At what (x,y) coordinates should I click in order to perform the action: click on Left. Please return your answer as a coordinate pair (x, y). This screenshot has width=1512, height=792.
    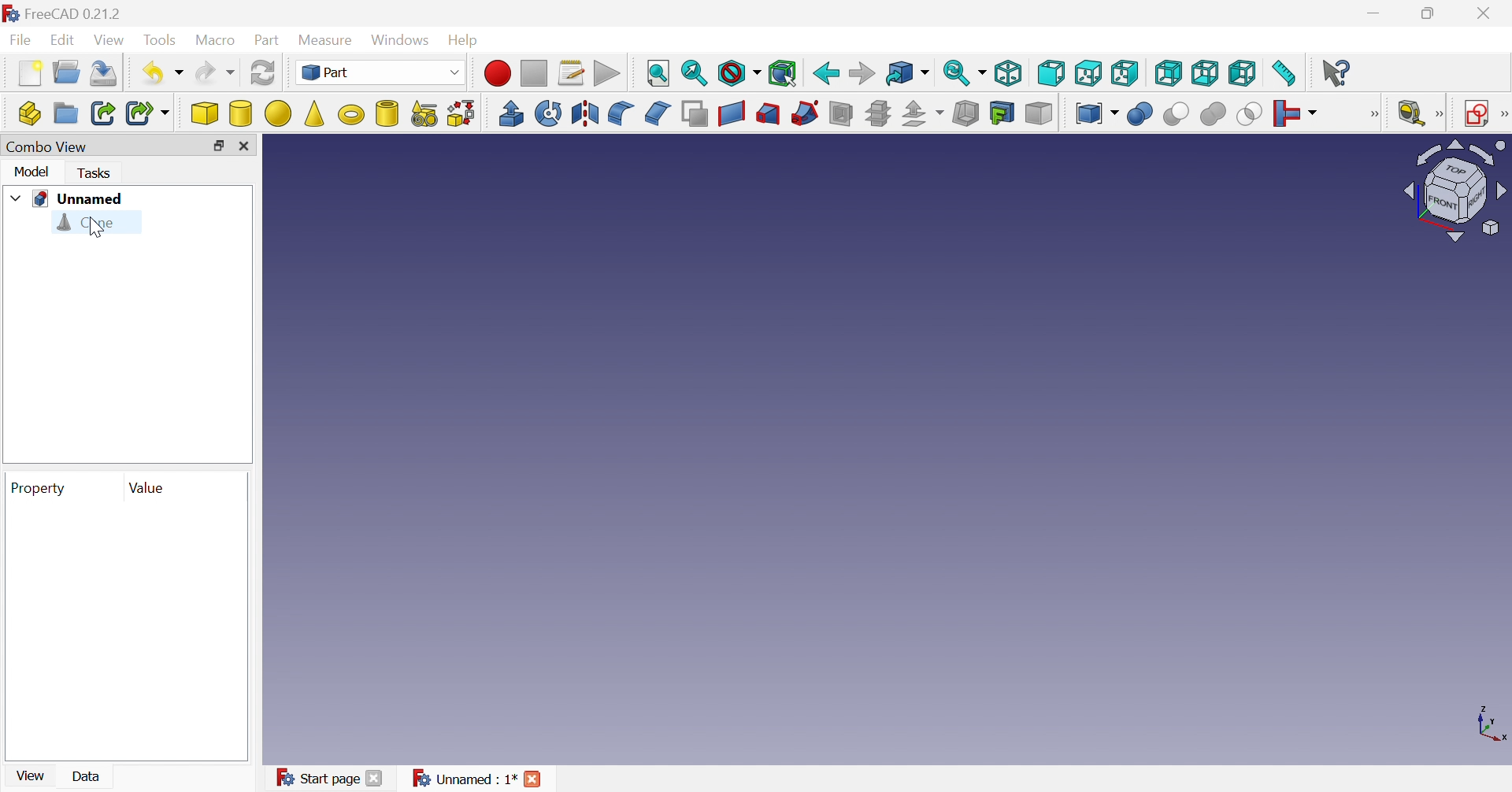
    Looking at the image, I should click on (1242, 73).